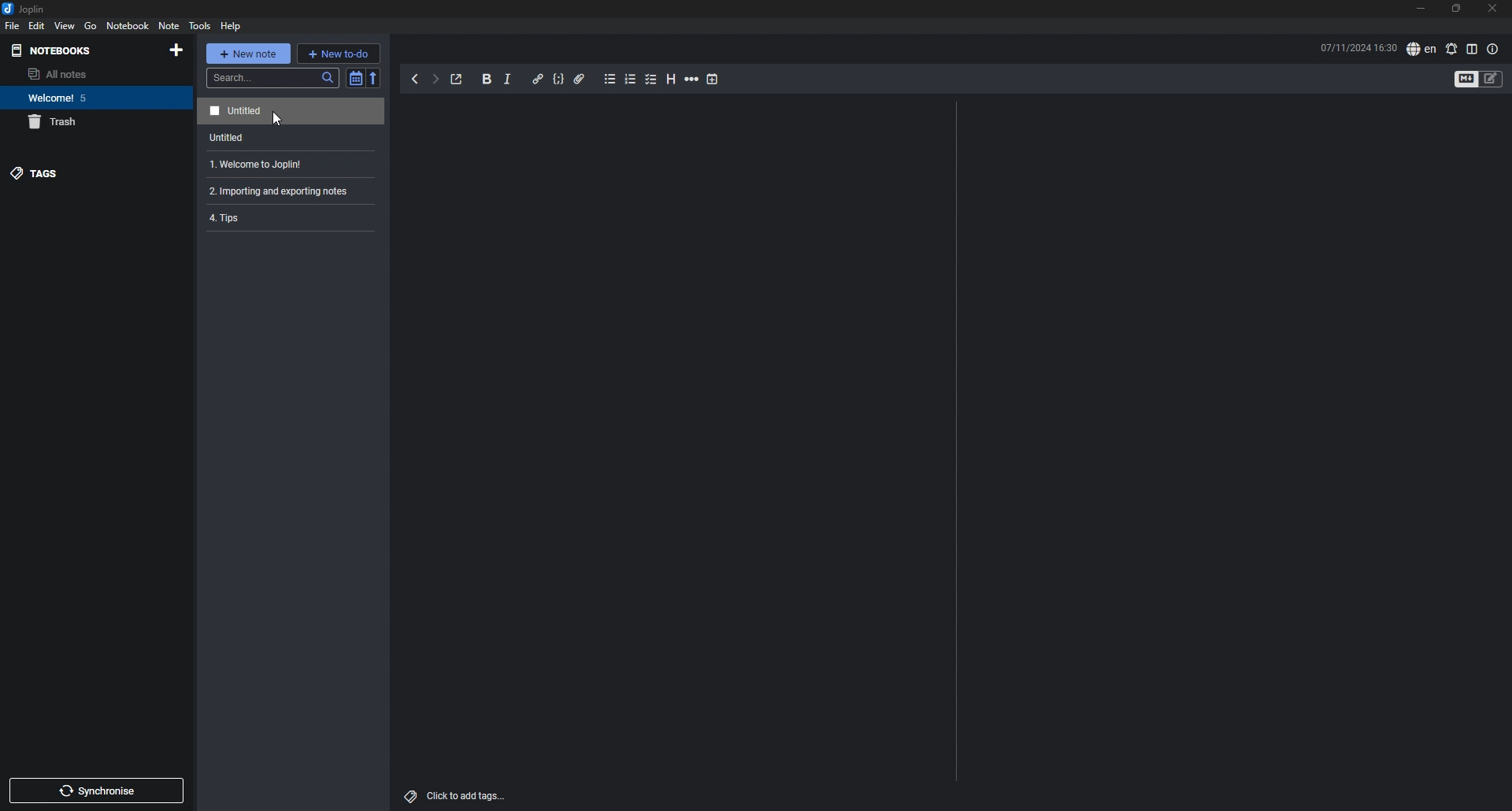 The image size is (1512, 811). Describe the element at coordinates (651, 80) in the screenshot. I see `checkbox` at that location.